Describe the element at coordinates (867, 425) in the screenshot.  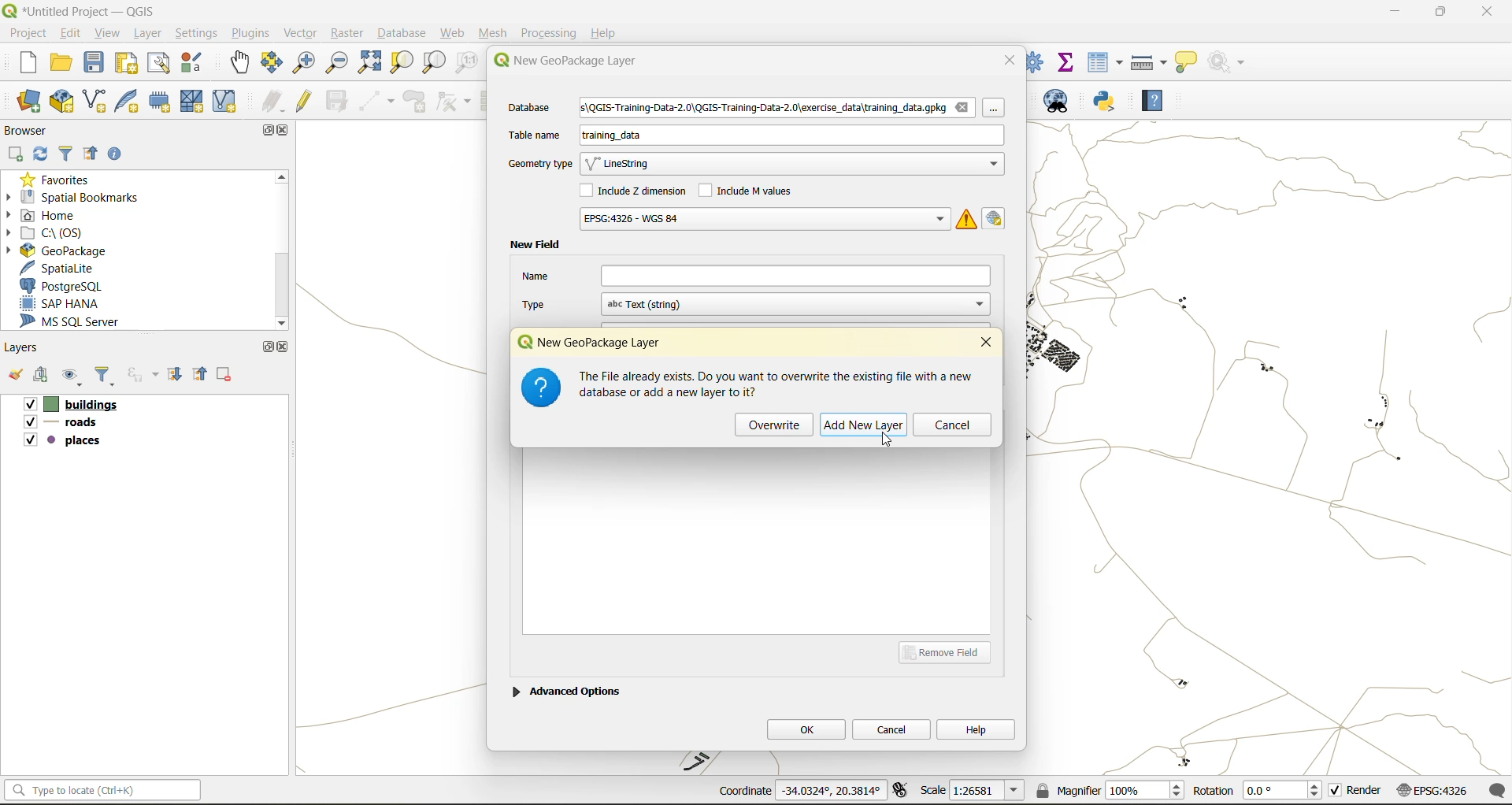
I see `add new layer` at that location.